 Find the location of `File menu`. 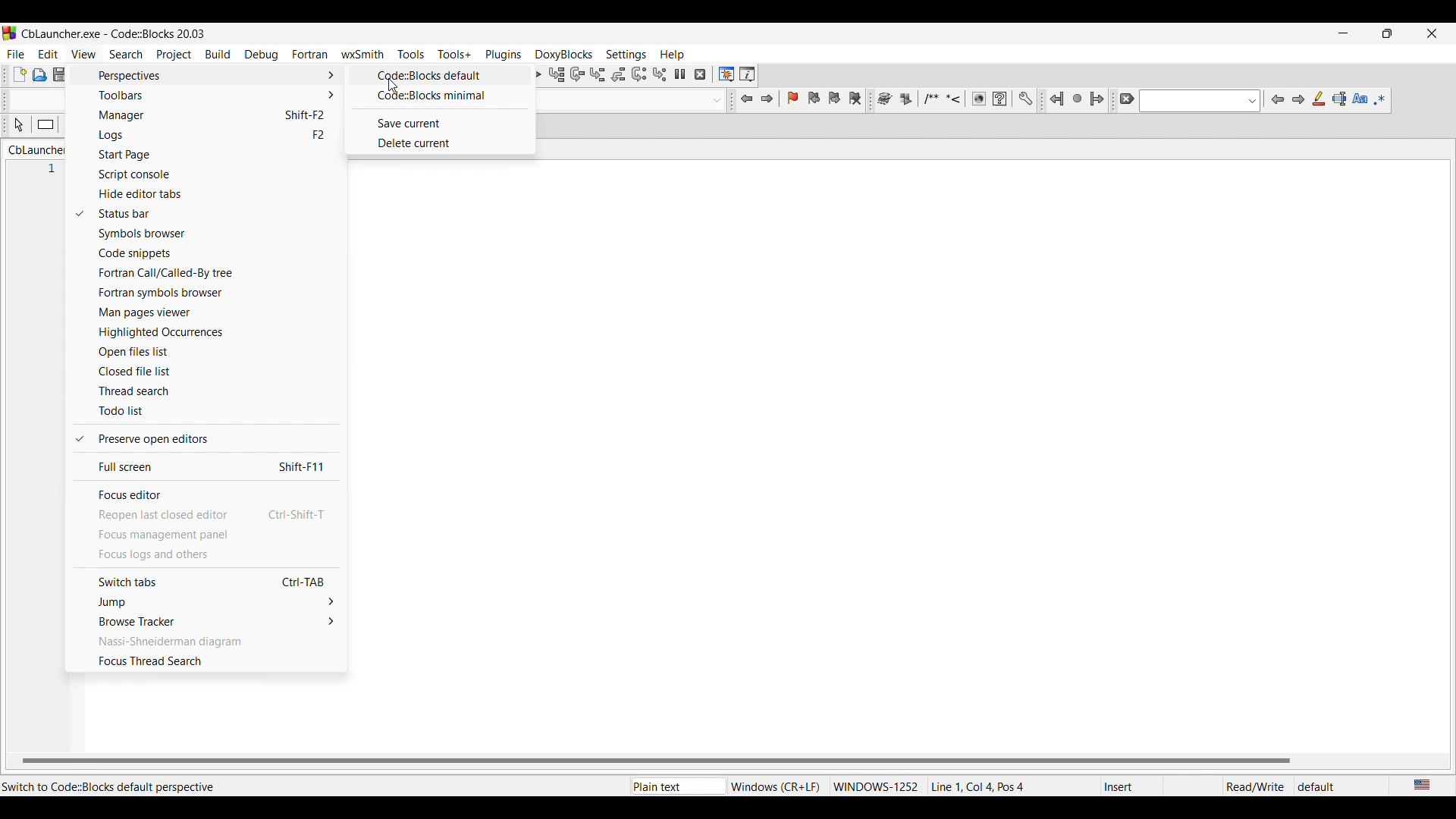

File menu is located at coordinates (16, 54).